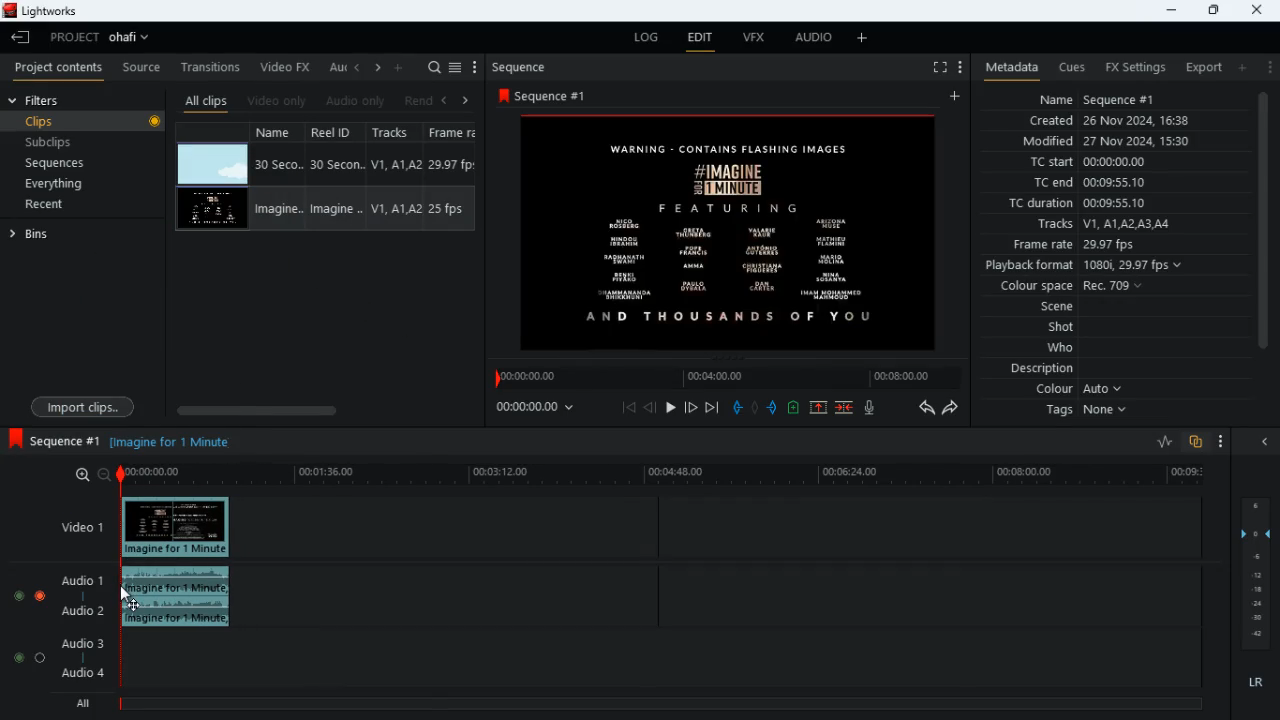  I want to click on name, so click(280, 131).